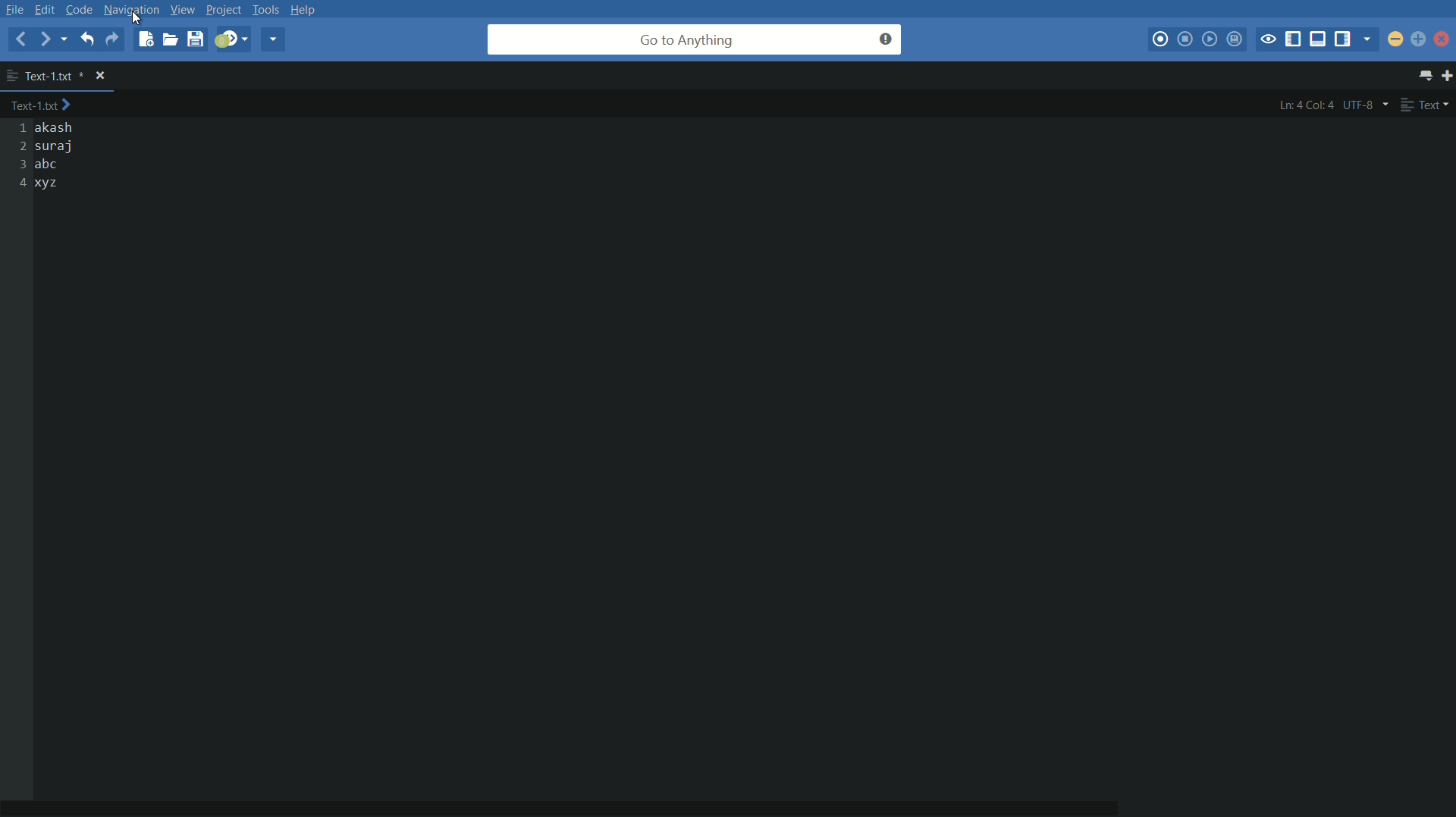 This screenshot has height=817, width=1456. I want to click on horizontal scroll bar, so click(591, 798).